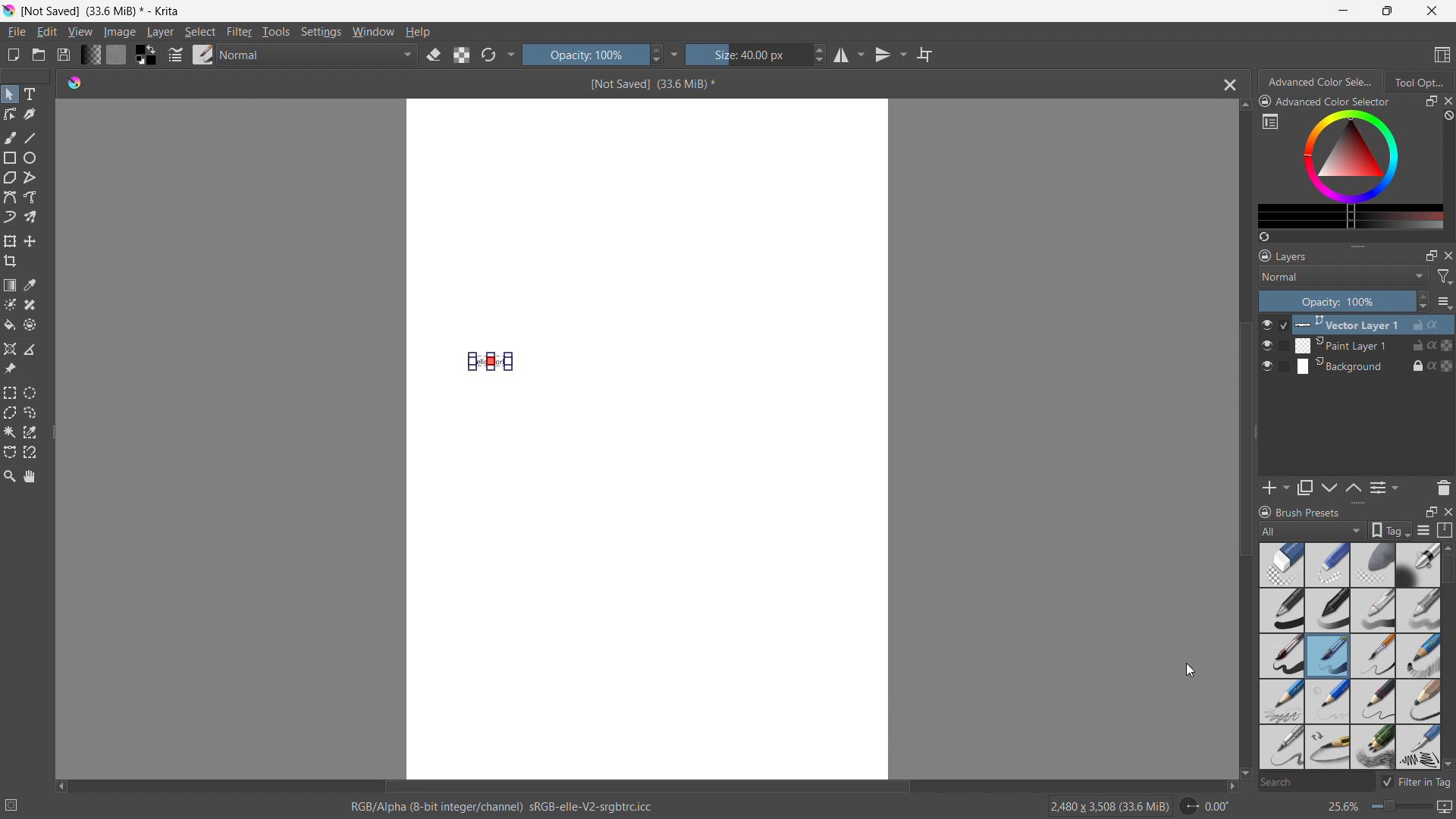  Describe the element at coordinates (74, 81) in the screenshot. I see `logo` at that location.